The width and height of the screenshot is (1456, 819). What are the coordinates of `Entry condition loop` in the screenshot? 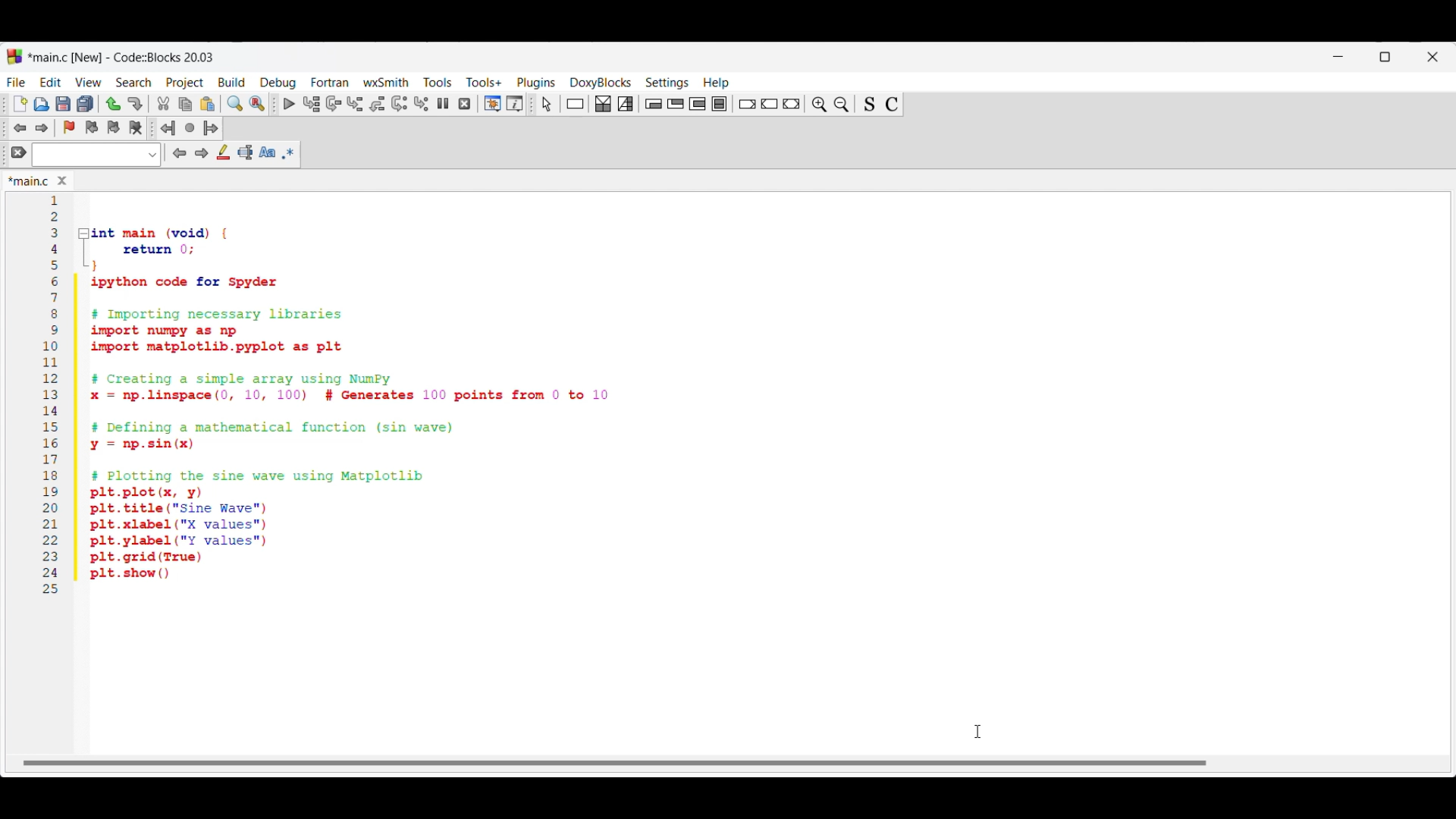 It's located at (653, 104).